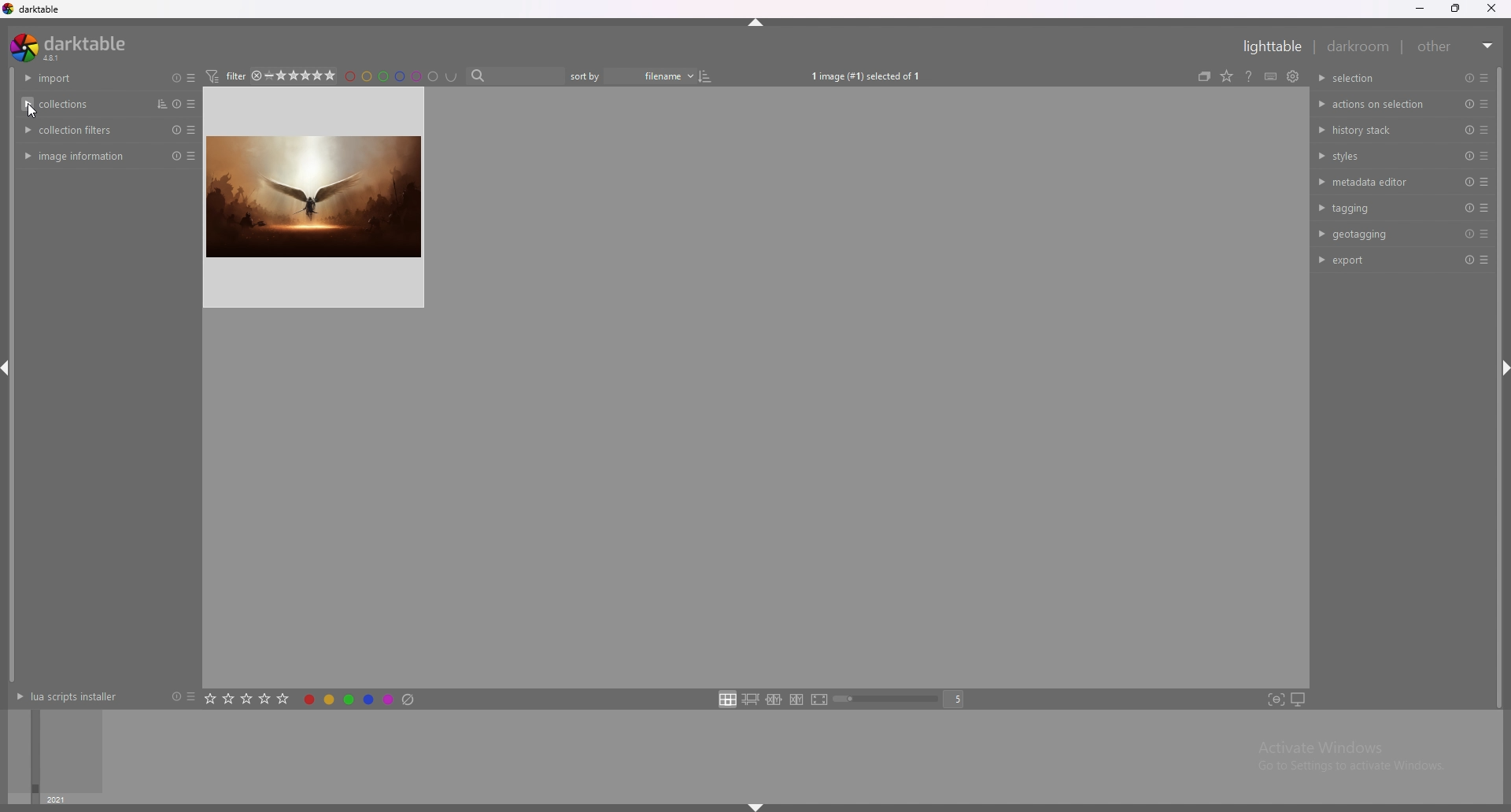  Describe the element at coordinates (1467, 183) in the screenshot. I see `reset` at that location.